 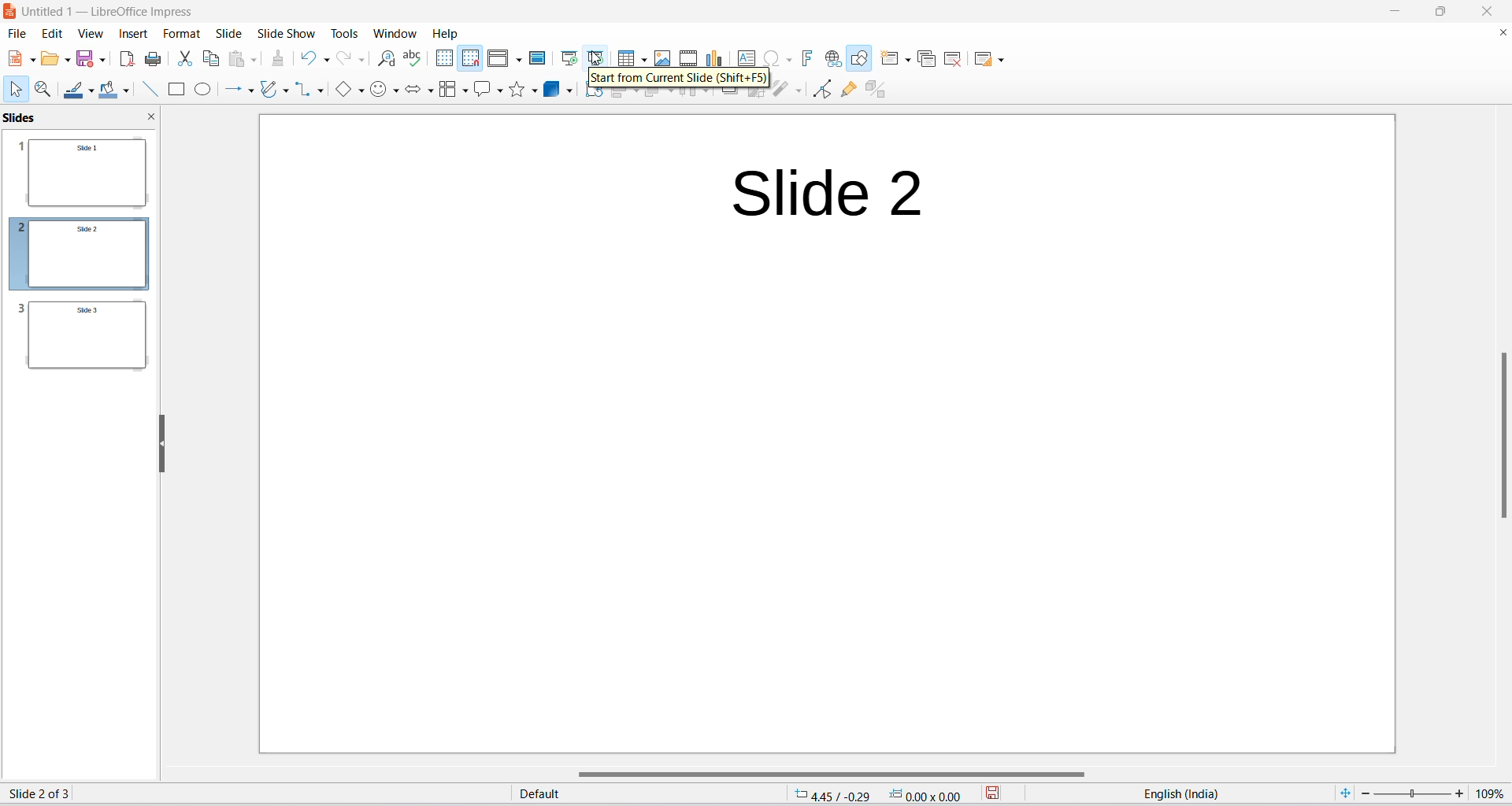 What do you see at coordinates (398, 92) in the screenshot?
I see `symbol shapes` at bounding box center [398, 92].